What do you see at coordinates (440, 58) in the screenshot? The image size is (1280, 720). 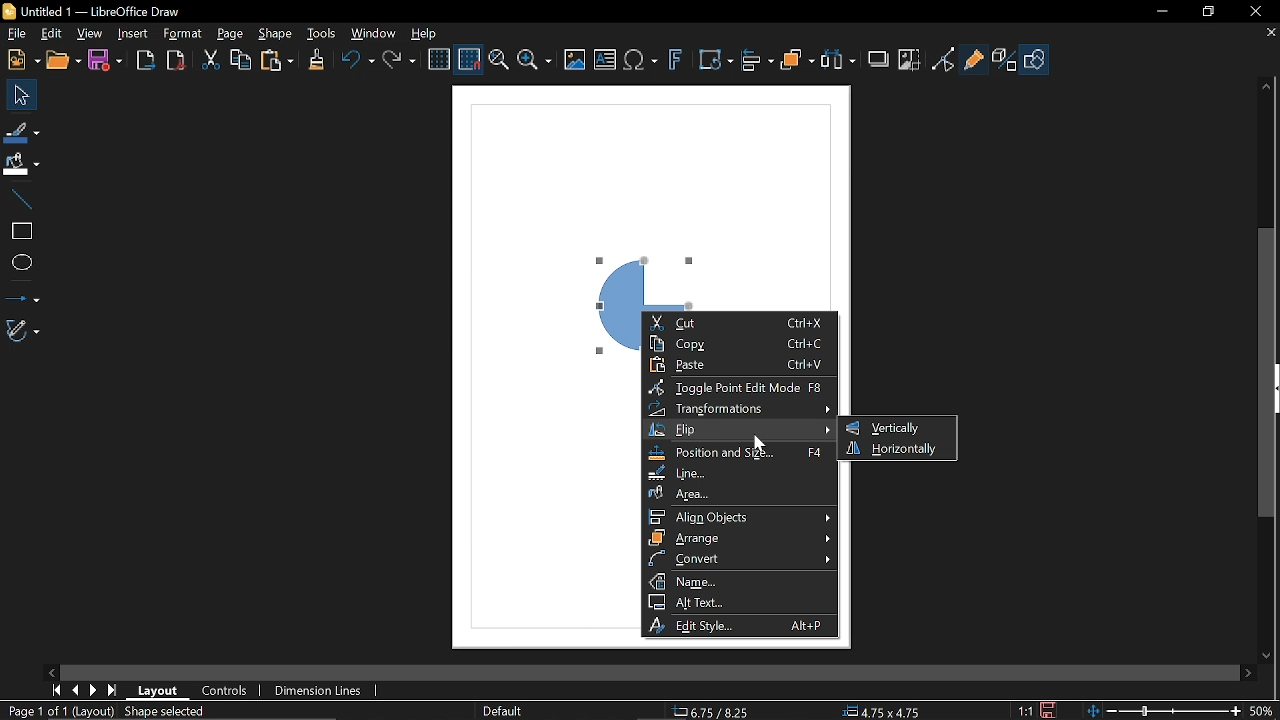 I see `Display grid` at bounding box center [440, 58].